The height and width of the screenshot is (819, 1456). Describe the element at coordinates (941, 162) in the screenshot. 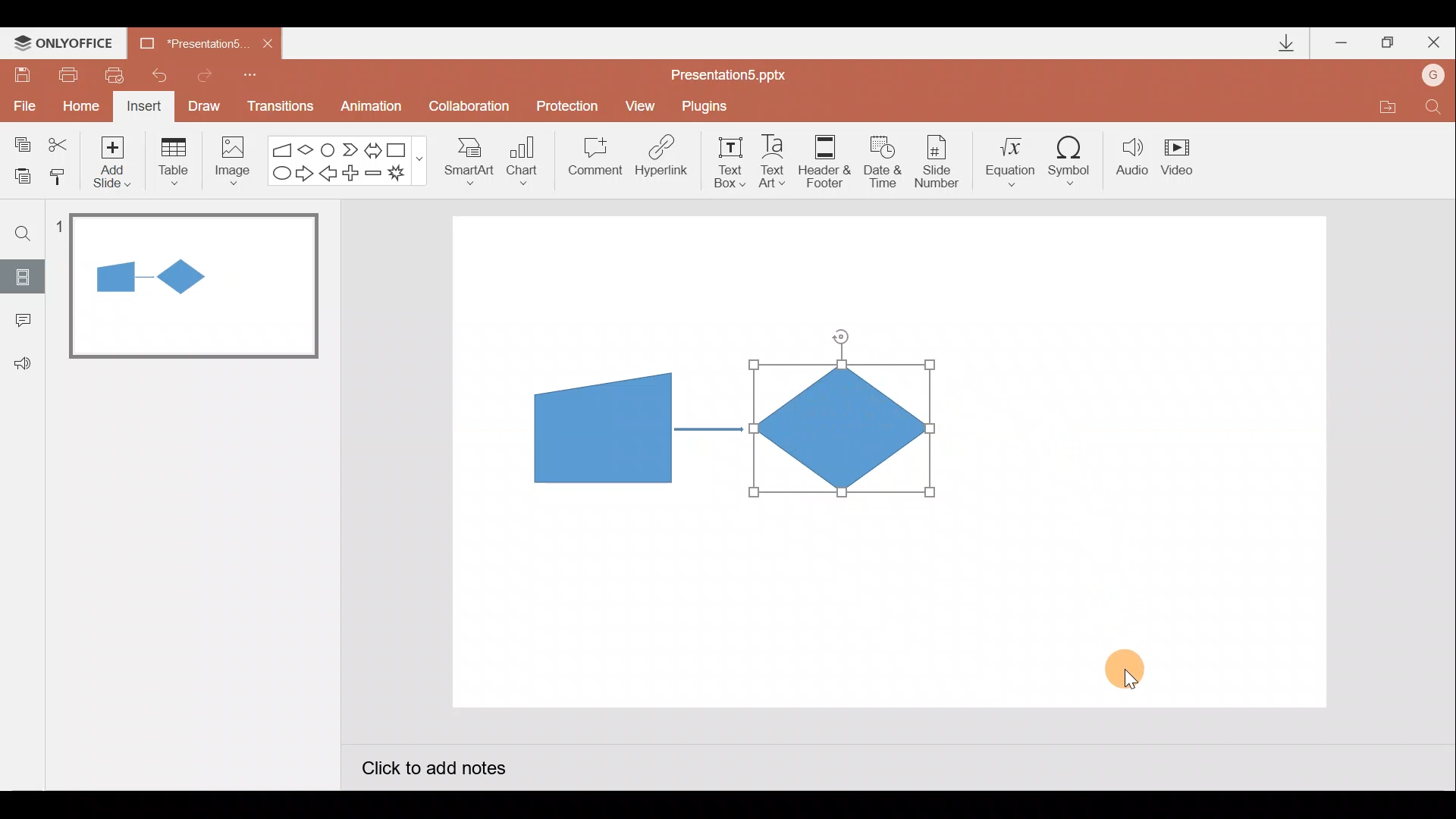

I see `Slide number` at that location.